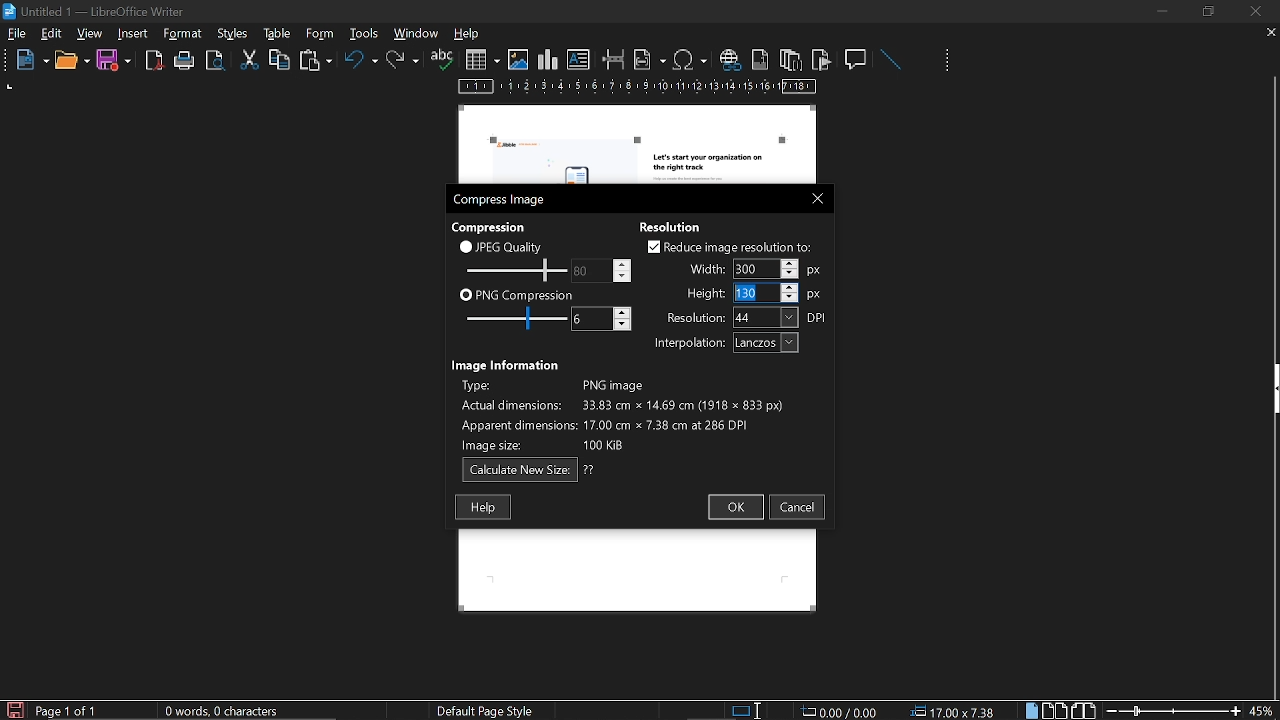 The image size is (1280, 720). I want to click on insert table, so click(482, 60).